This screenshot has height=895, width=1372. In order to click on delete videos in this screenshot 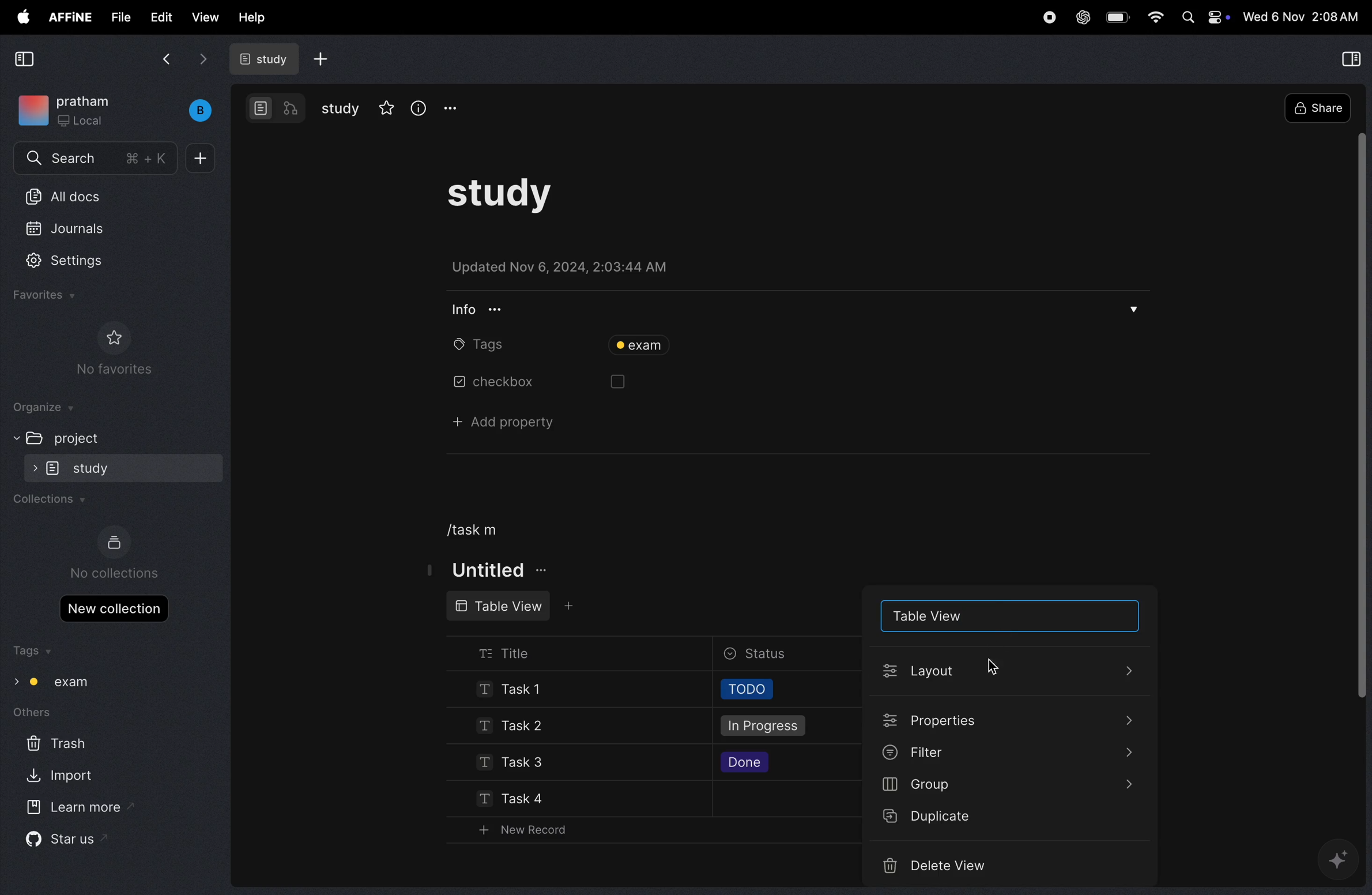, I will do `click(997, 865)`.